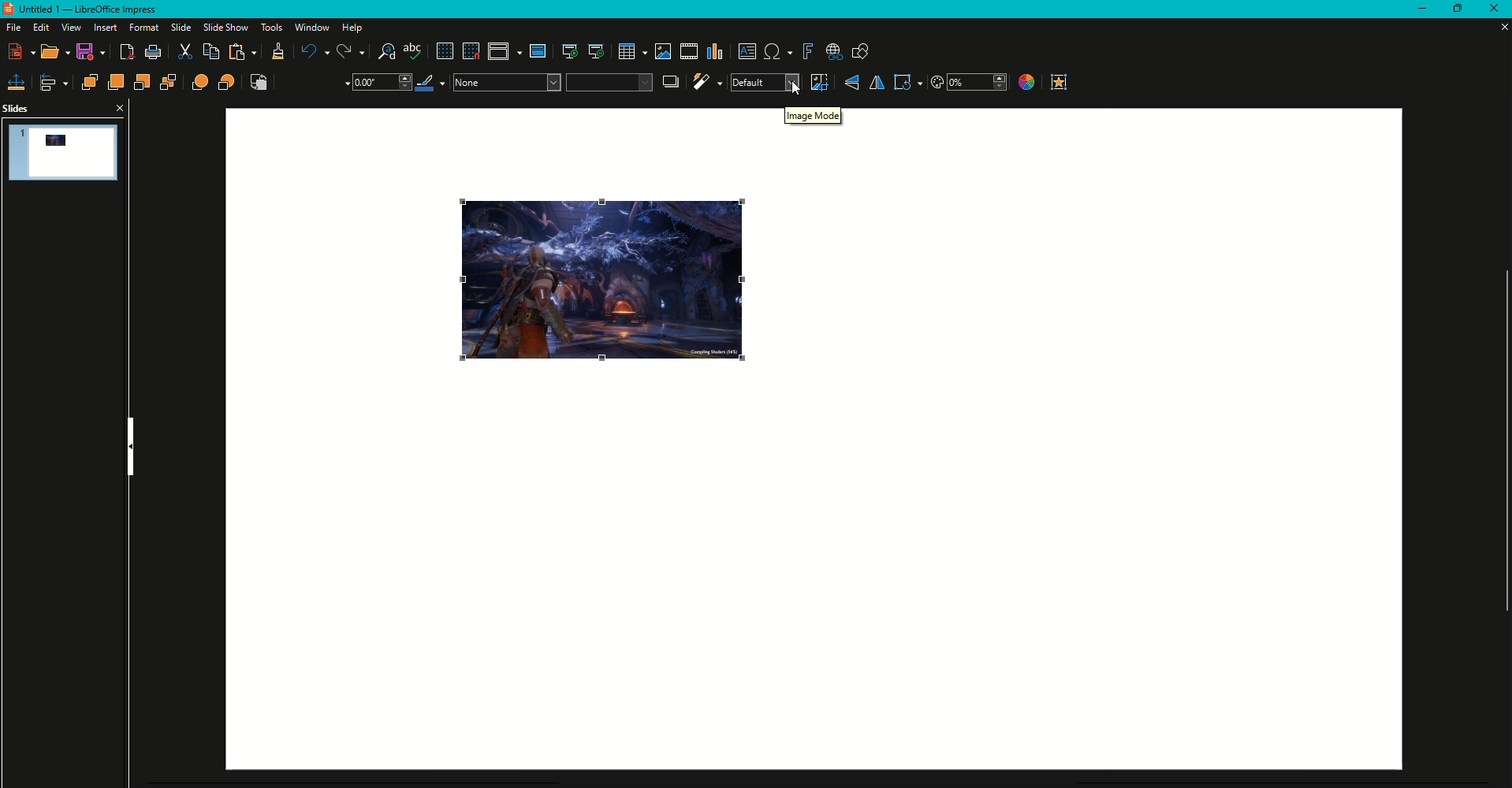 Image resolution: width=1512 pixels, height=788 pixels. Describe the element at coordinates (1415, 9) in the screenshot. I see `Minimize` at that location.